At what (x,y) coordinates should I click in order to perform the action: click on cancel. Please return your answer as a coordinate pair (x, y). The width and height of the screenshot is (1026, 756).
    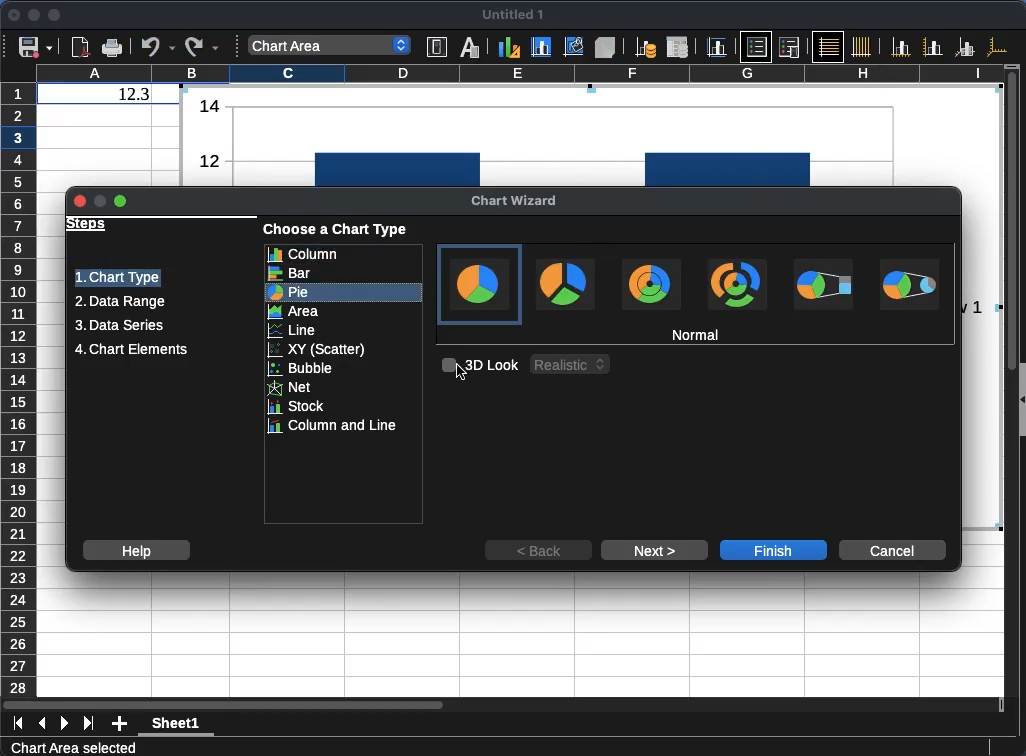
    Looking at the image, I should click on (893, 550).